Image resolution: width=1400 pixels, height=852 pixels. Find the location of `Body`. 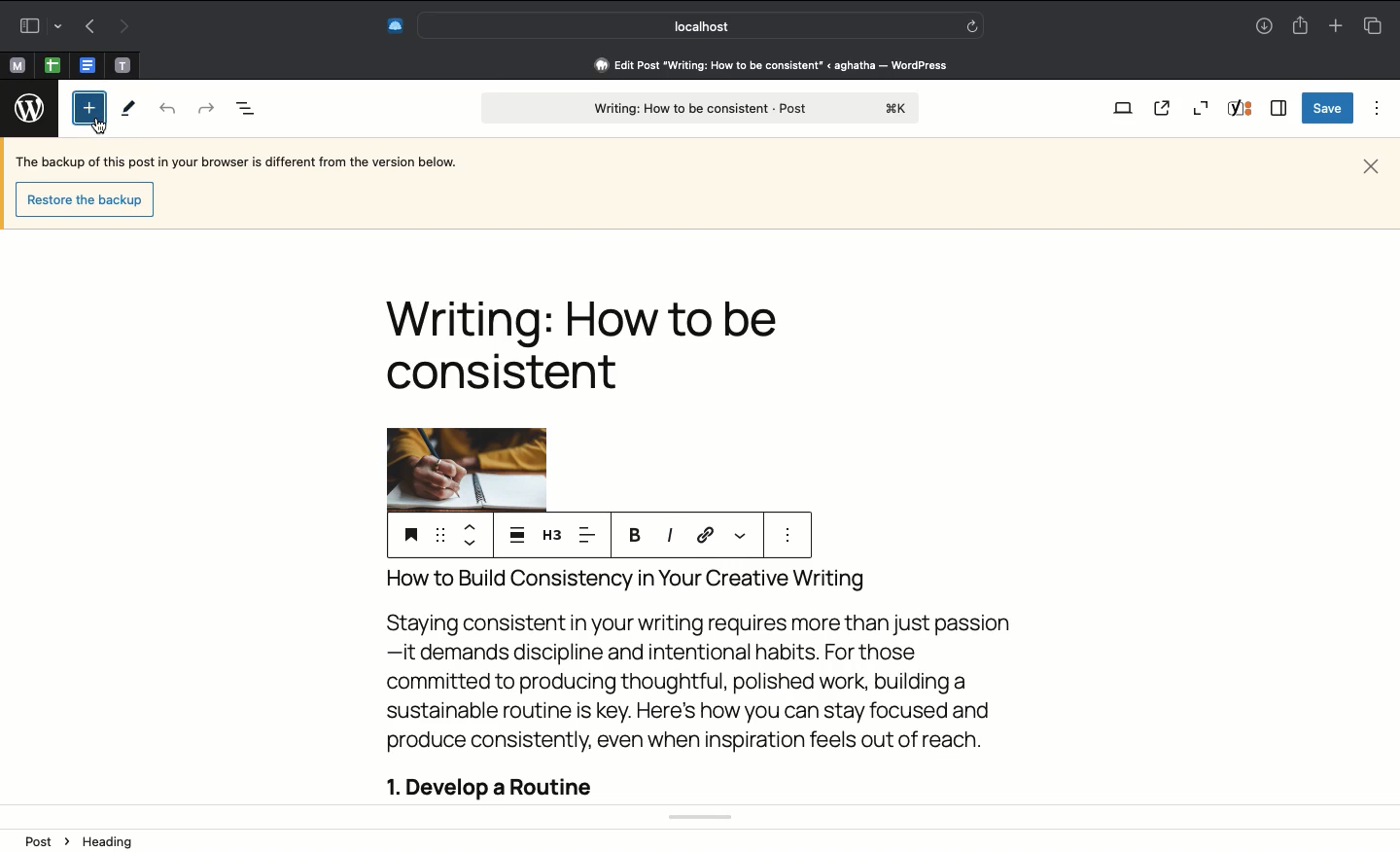

Body is located at coordinates (697, 682).